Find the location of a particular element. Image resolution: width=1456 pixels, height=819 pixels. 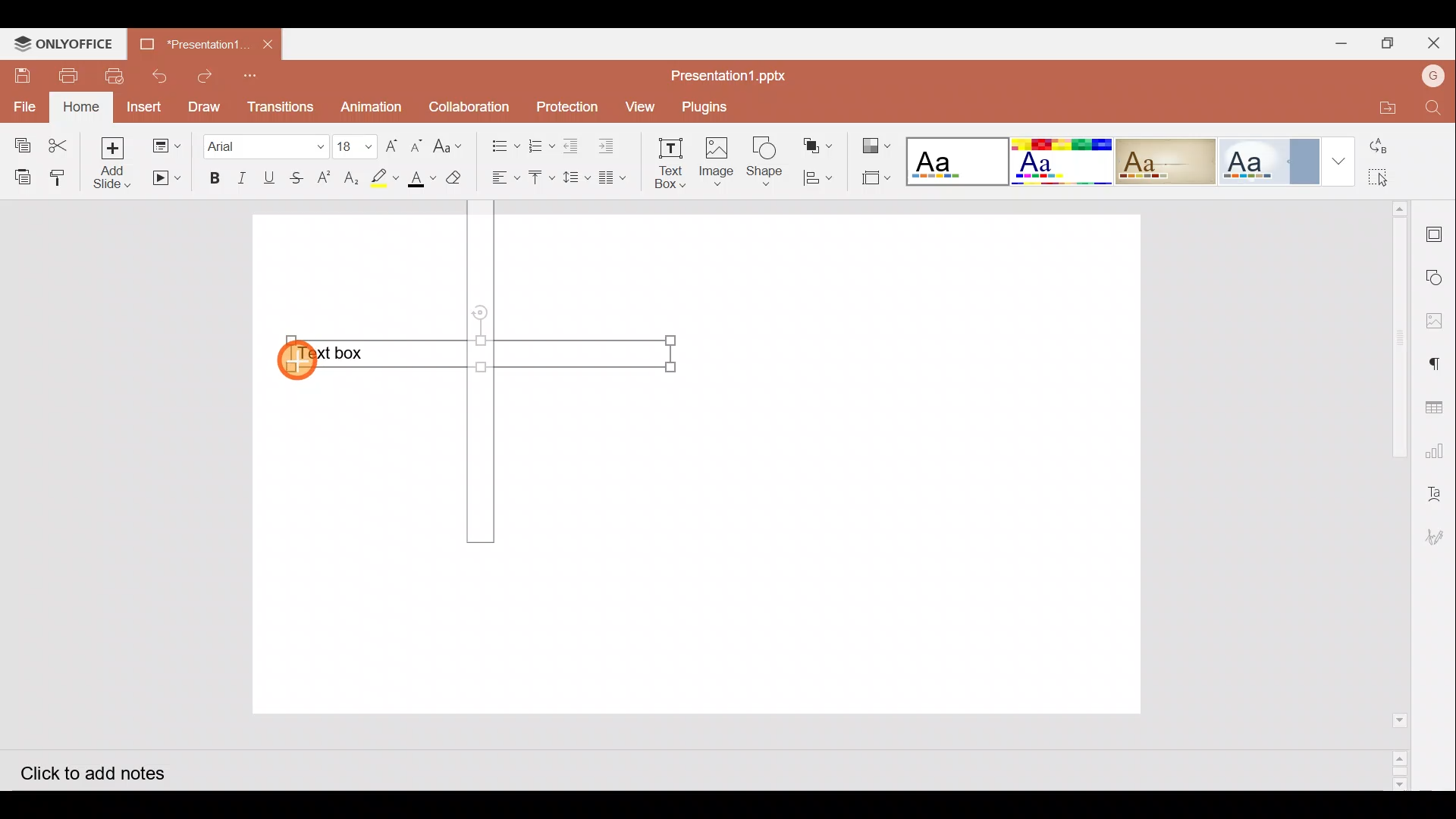

Subscript is located at coordinates (352, 180).